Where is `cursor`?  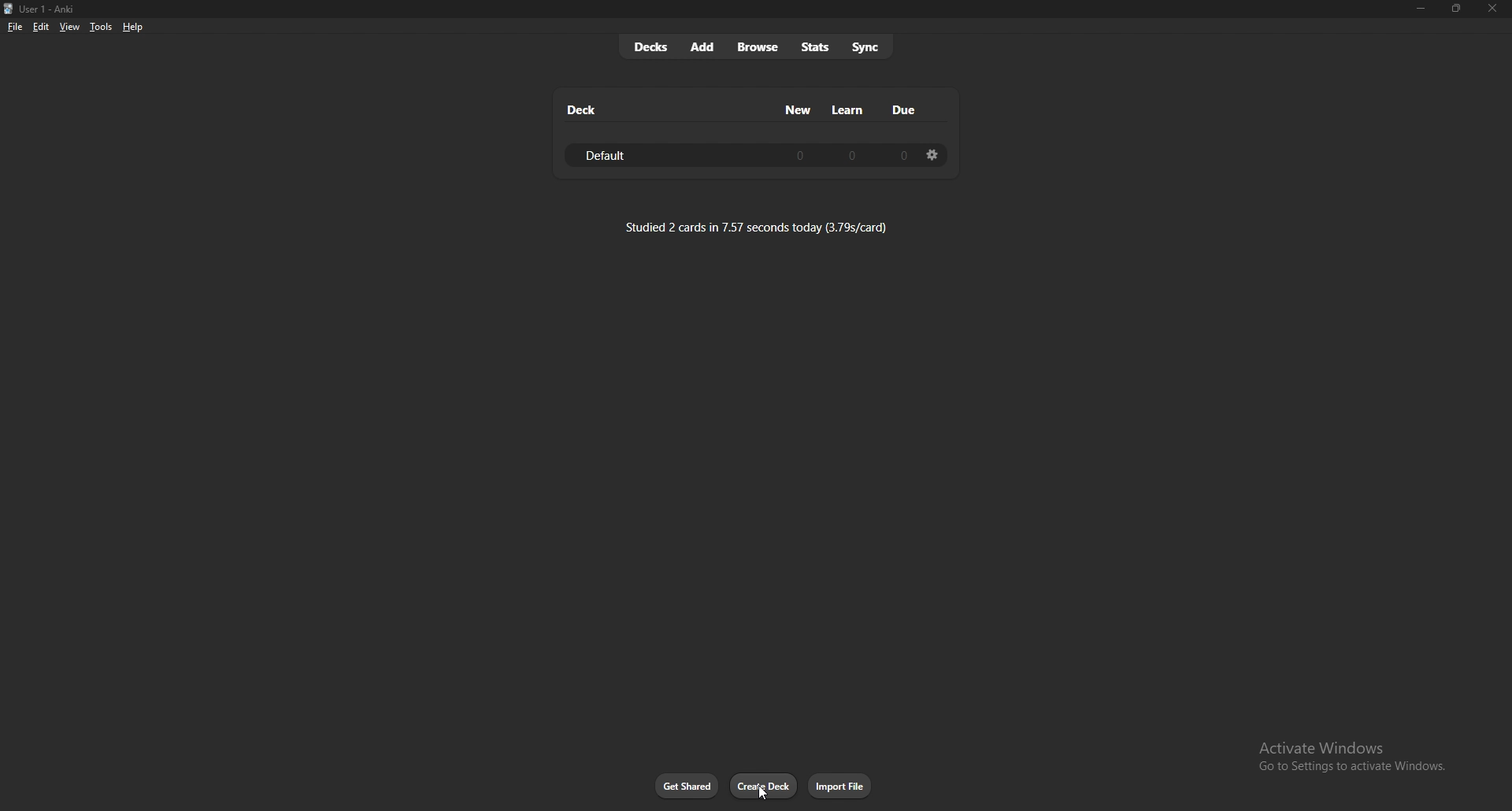 cursor is located at coordinates (765, 793).